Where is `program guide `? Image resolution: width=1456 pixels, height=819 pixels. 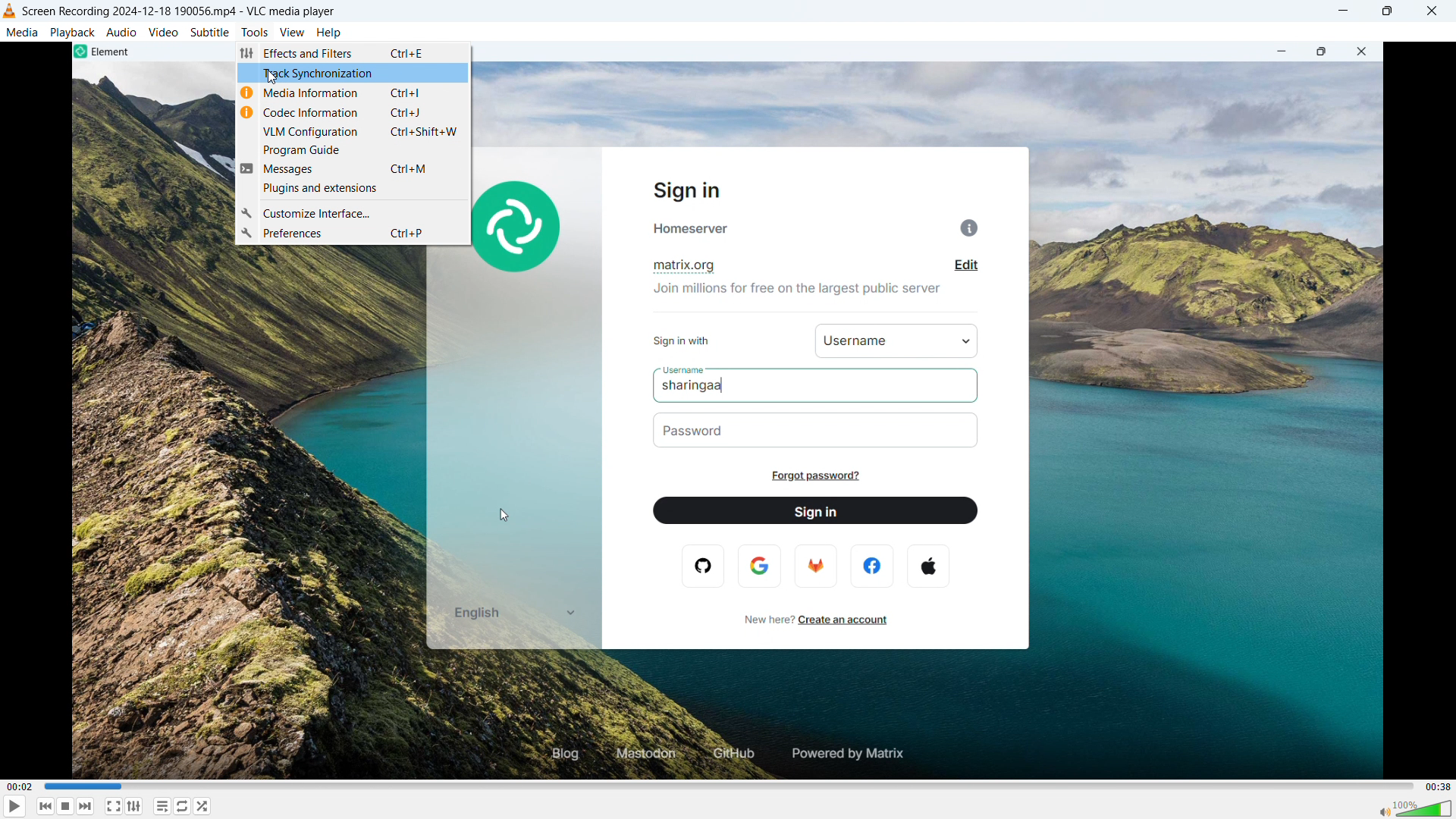
program guide  is located at coordinates (355, 150).